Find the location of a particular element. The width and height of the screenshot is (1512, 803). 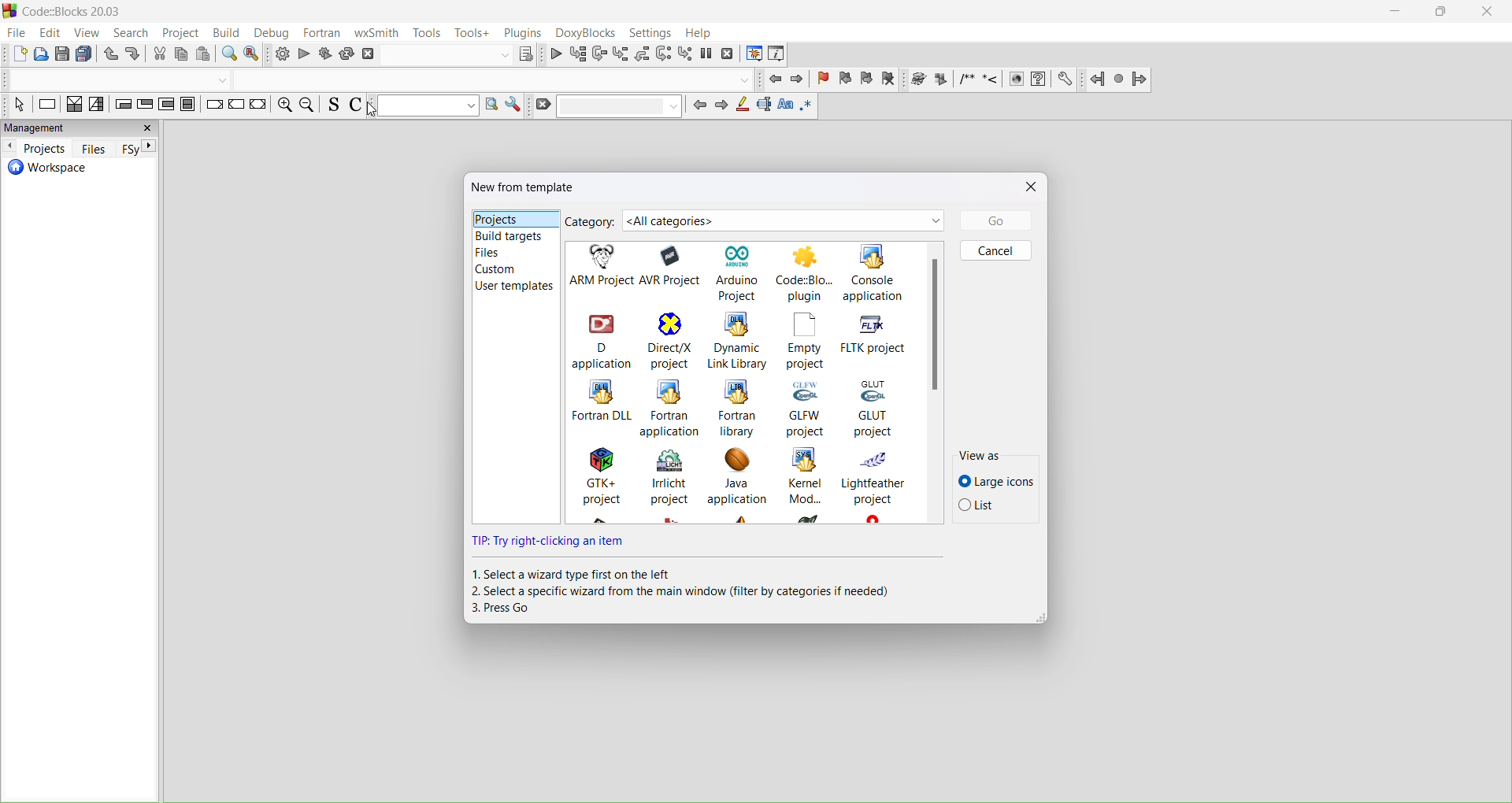

kernal mod is located at coordinates (805, 487).